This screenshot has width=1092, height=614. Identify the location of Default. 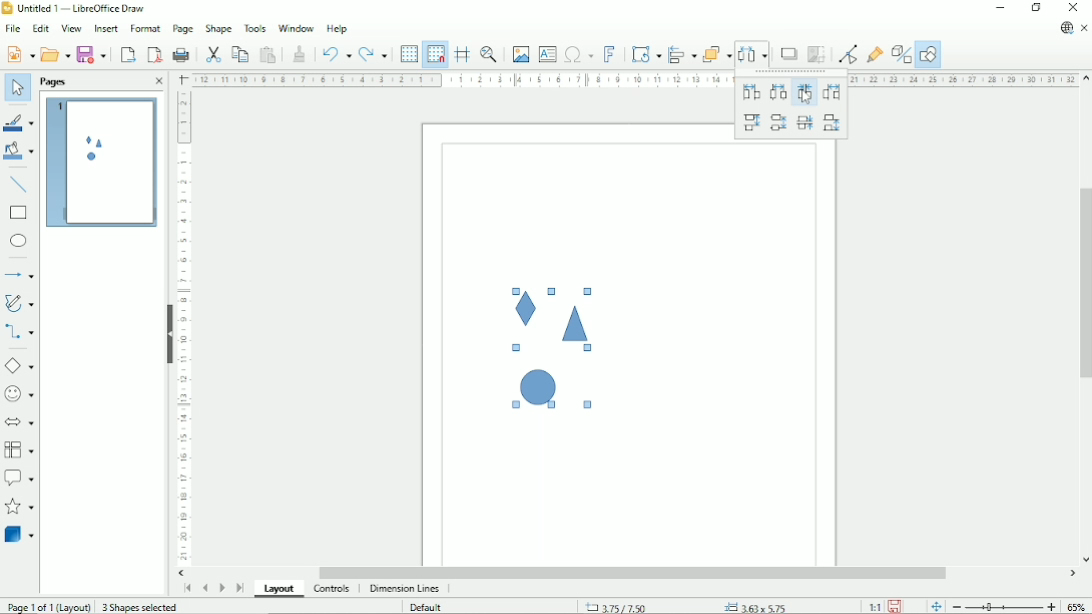
(425, 607).